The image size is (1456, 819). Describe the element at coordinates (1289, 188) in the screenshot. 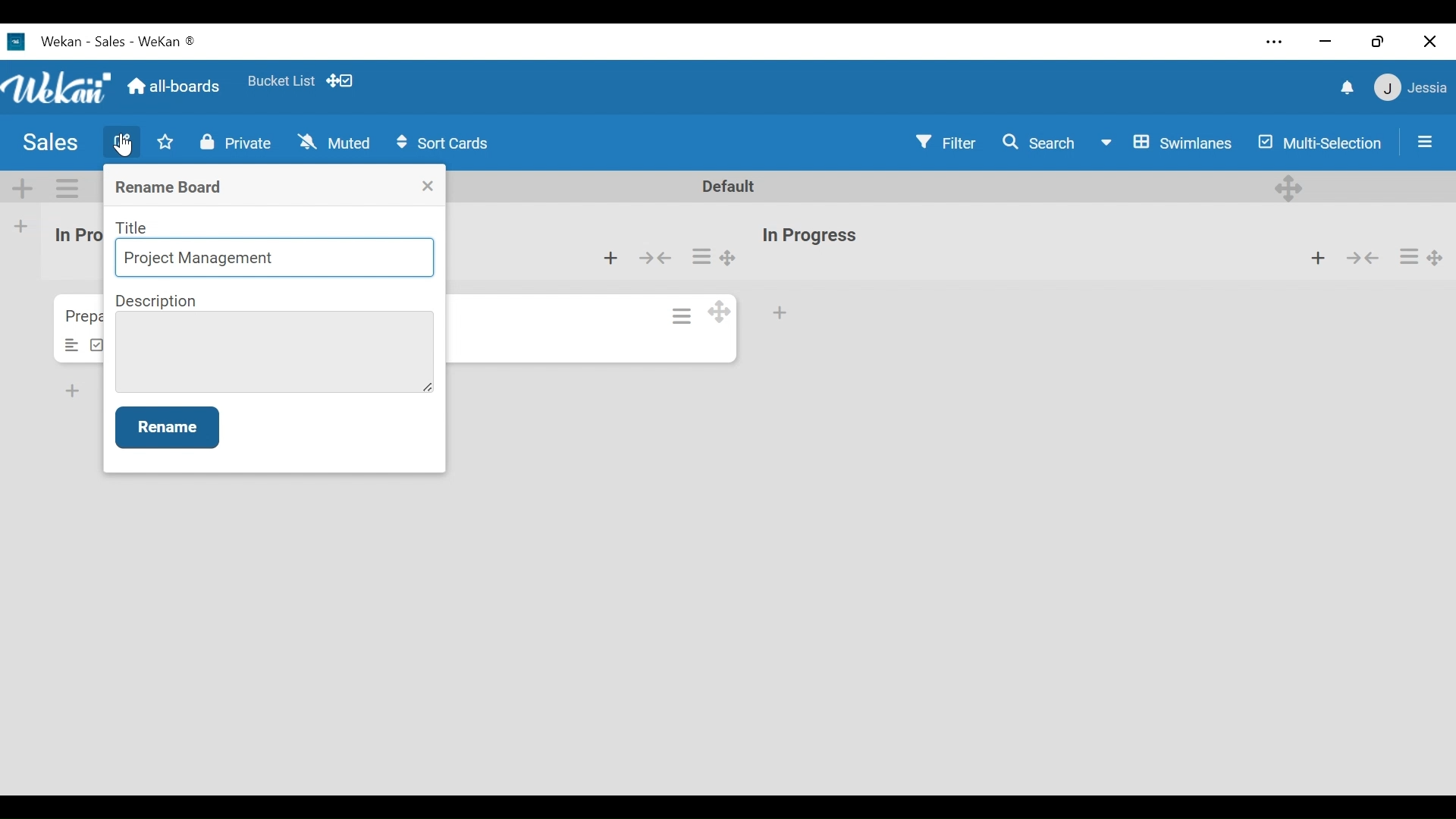

I see `desktop drag handles` at that location.